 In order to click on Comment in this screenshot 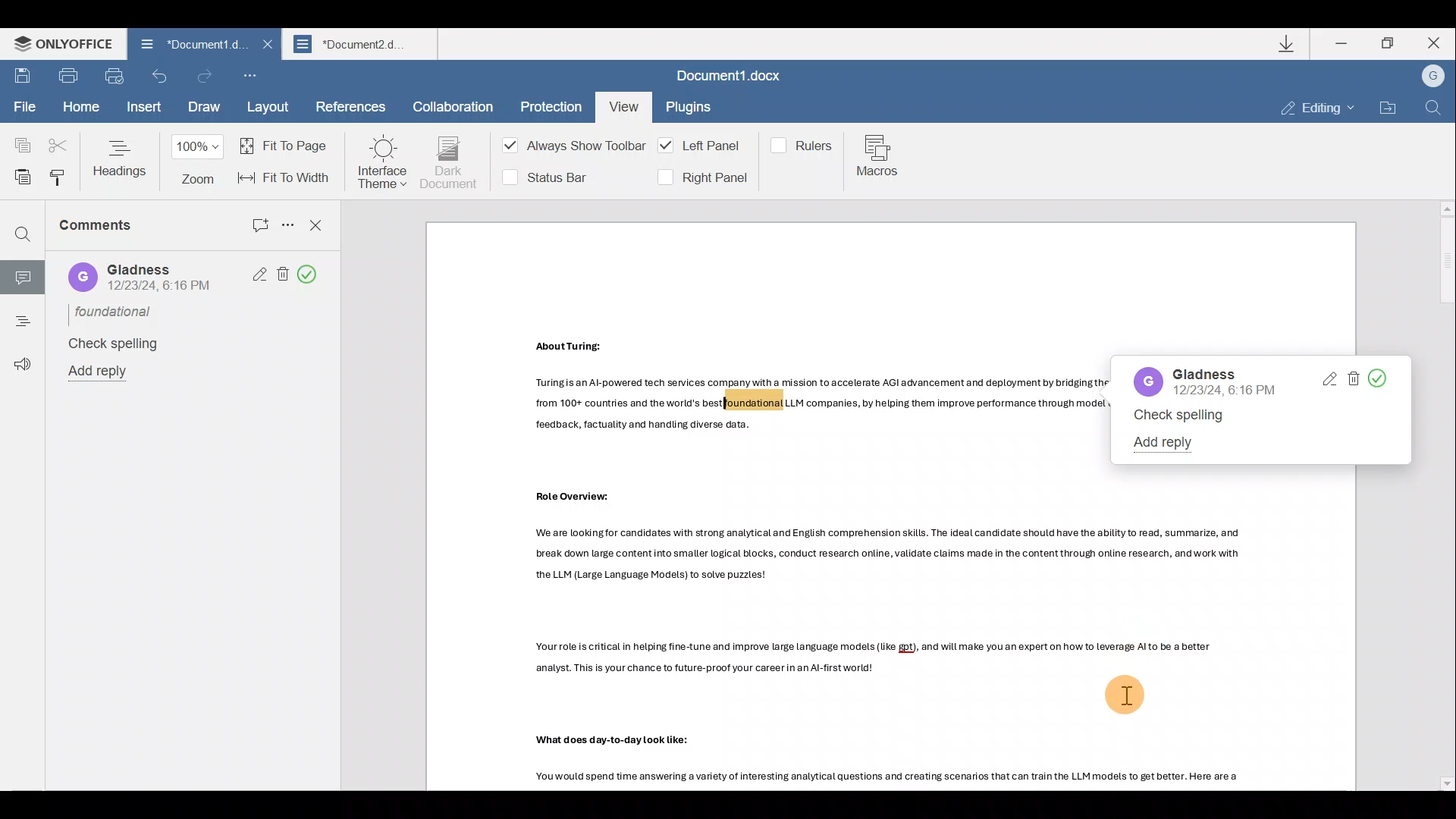, I will do `click(22, 275)`.